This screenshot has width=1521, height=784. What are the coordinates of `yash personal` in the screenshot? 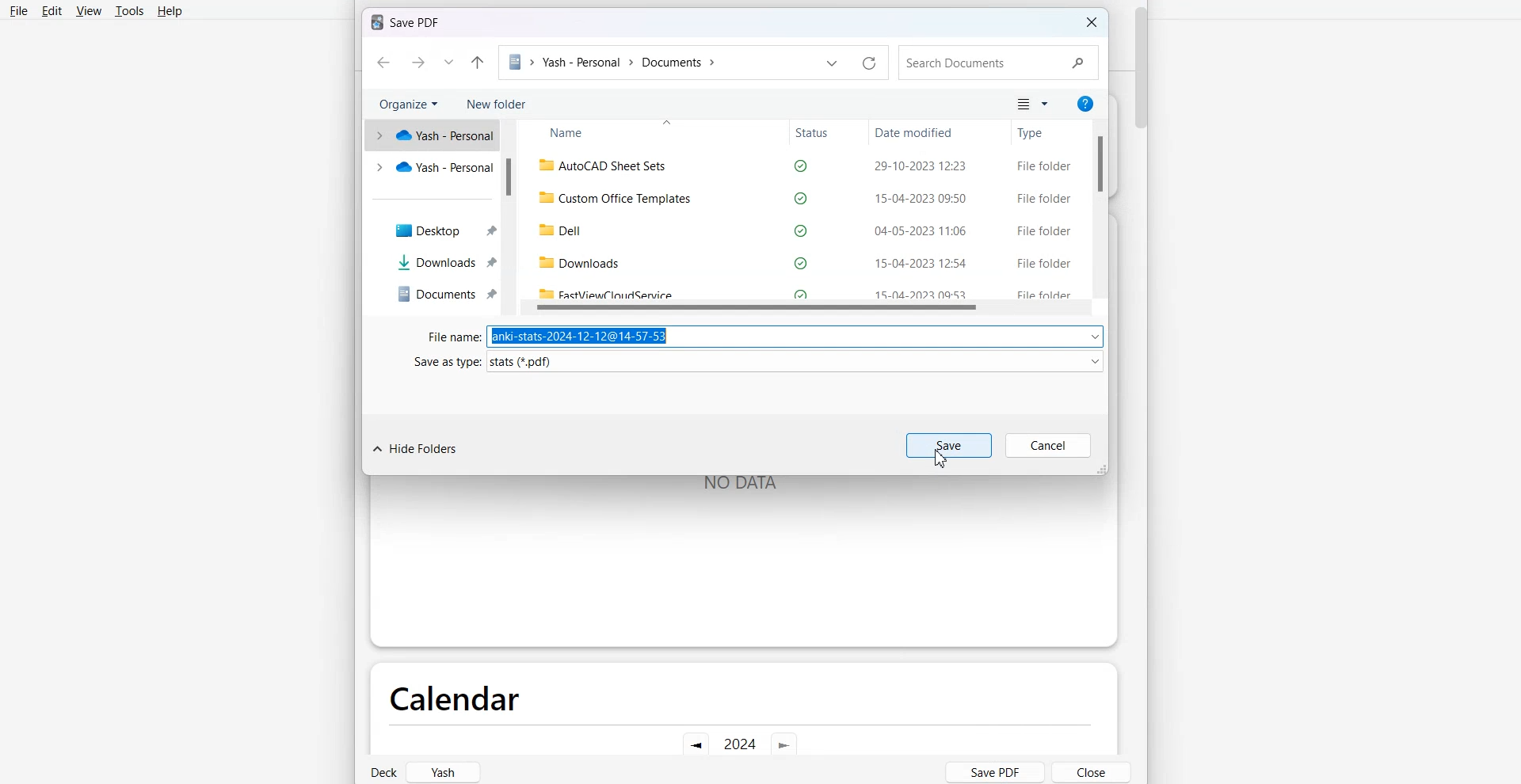 It's located at (429, 170).